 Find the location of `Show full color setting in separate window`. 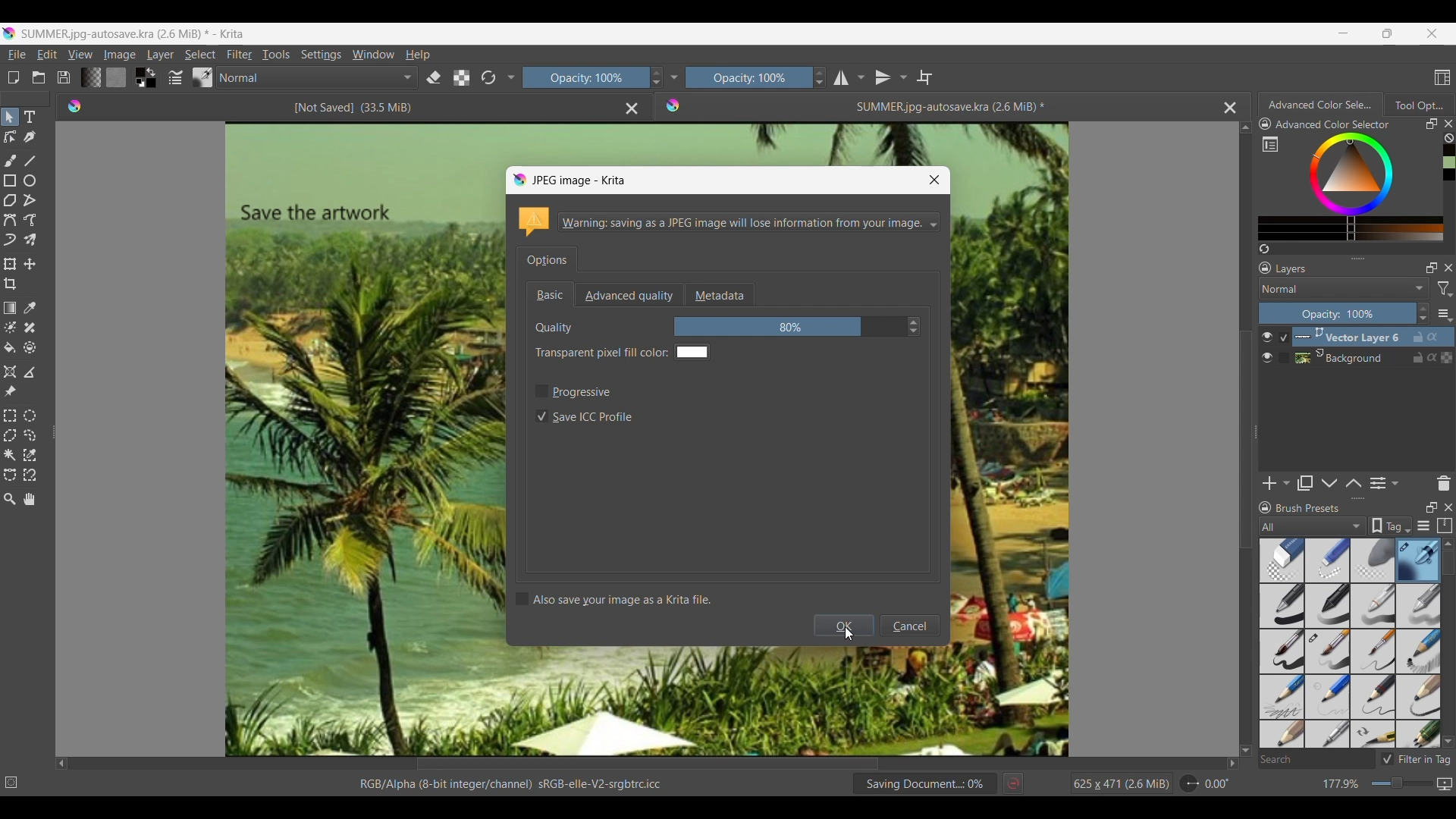

Show full color setting in separate window is located at coordinates (1270, 144).